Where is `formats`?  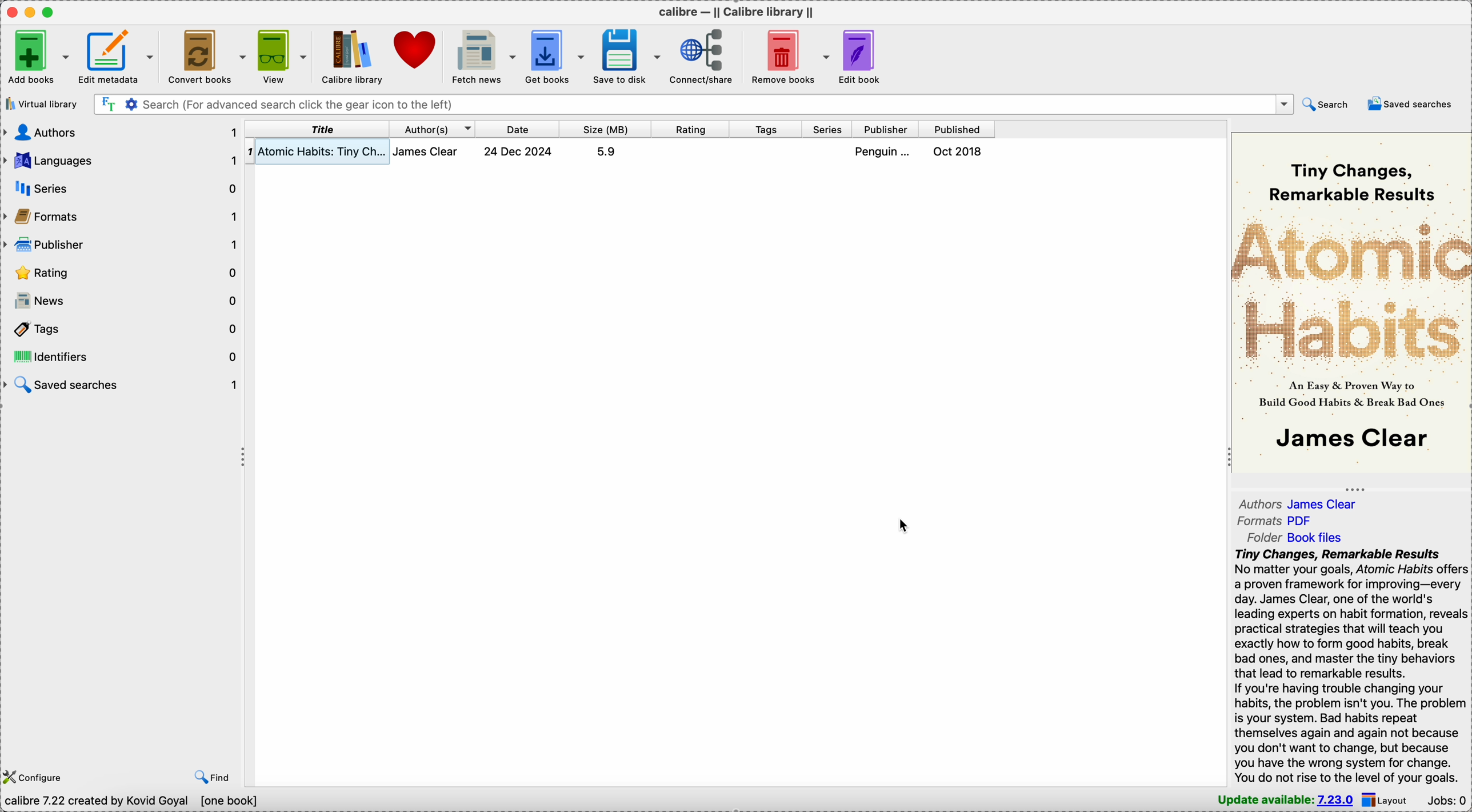 formats is located at coordinates (123, 218).